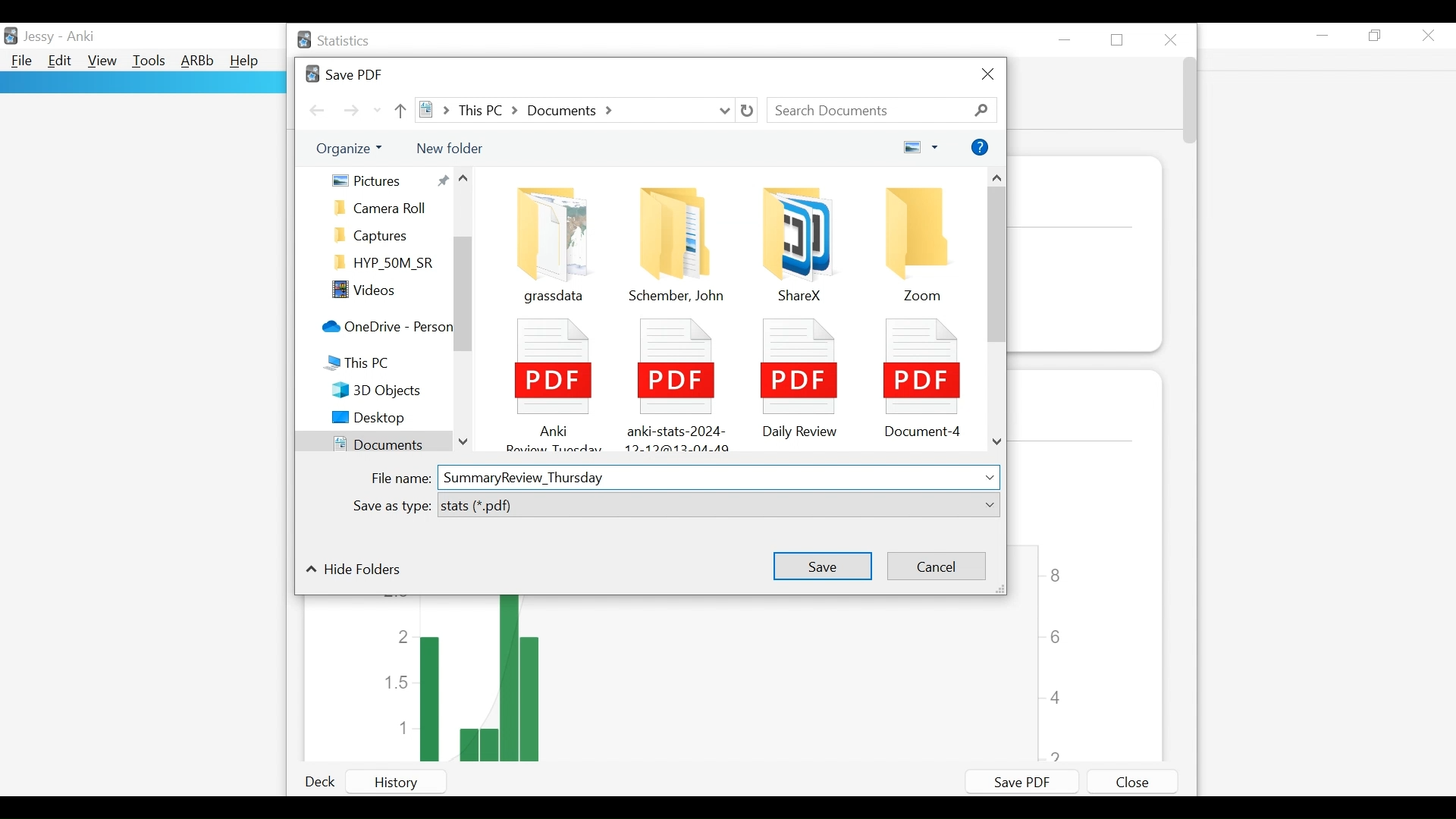 This screenshot has height=819, width=1456. Describe the element at coordinates (1188, 103) in the screenshot. I see `Vertical Scroll bar` at that location.